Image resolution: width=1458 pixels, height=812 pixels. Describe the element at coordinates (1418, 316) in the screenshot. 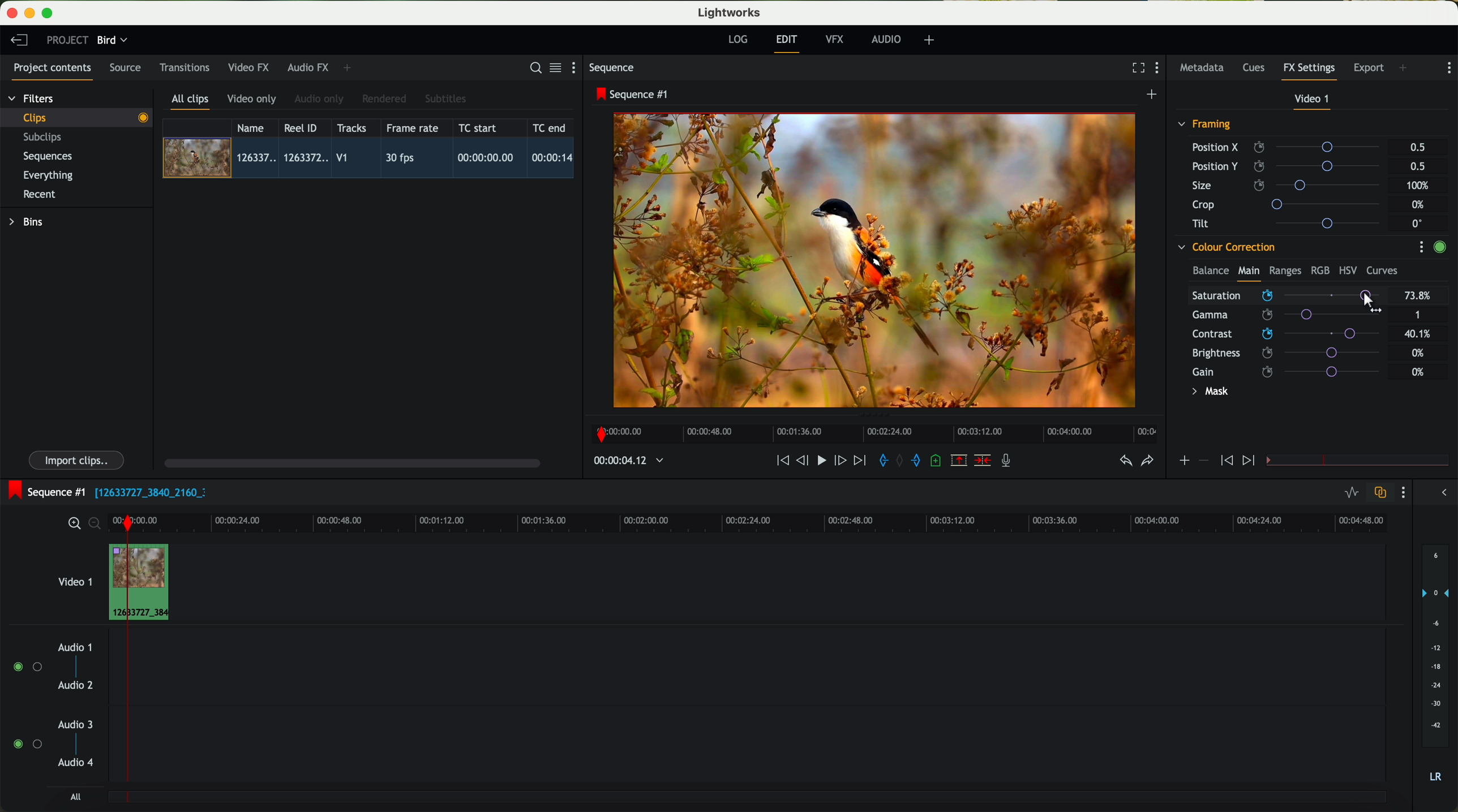

I see `1` at that location.